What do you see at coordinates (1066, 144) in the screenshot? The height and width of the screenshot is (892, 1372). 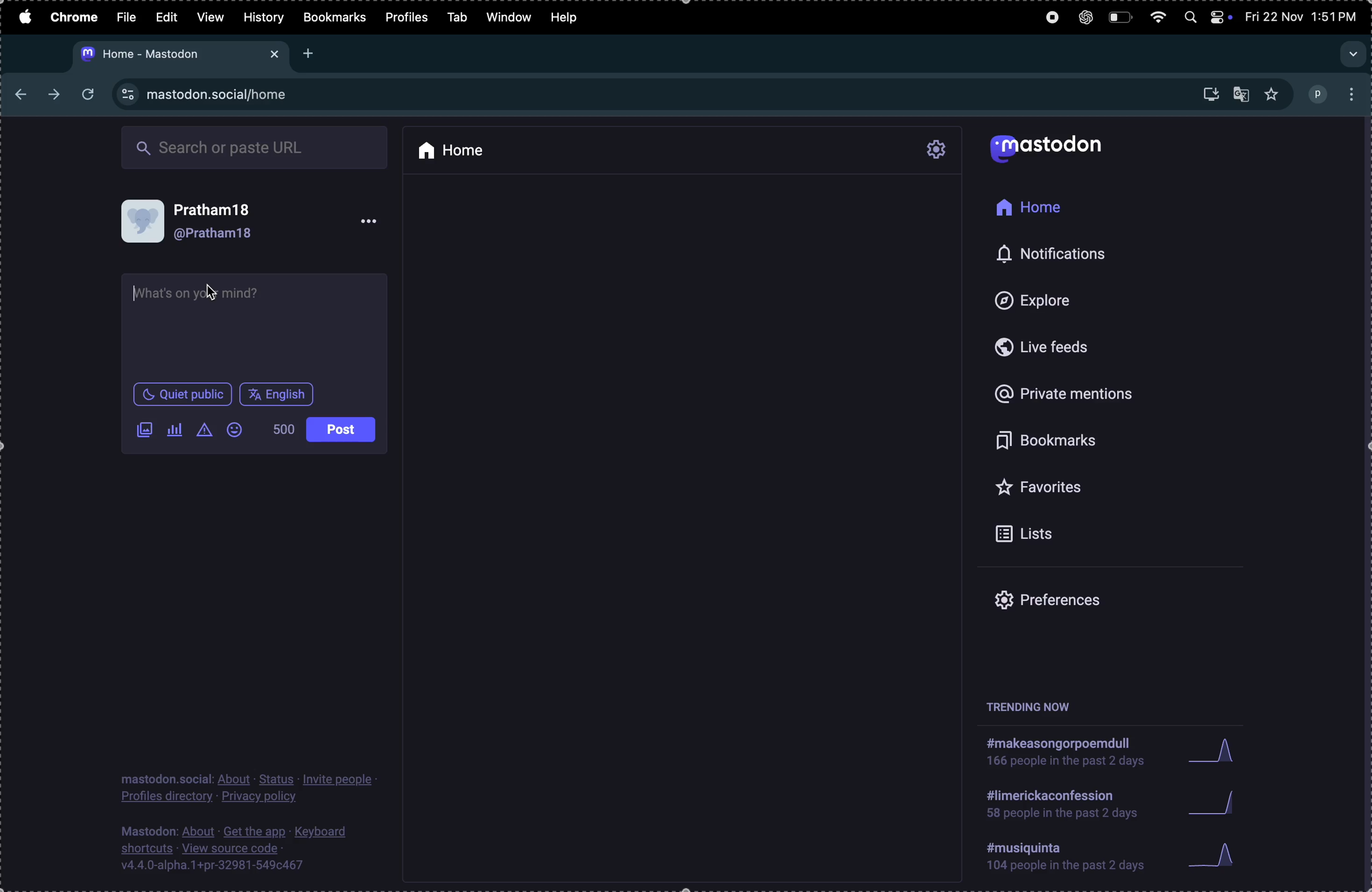 I see `mastodon logo` at bounding box center [1066, 144].